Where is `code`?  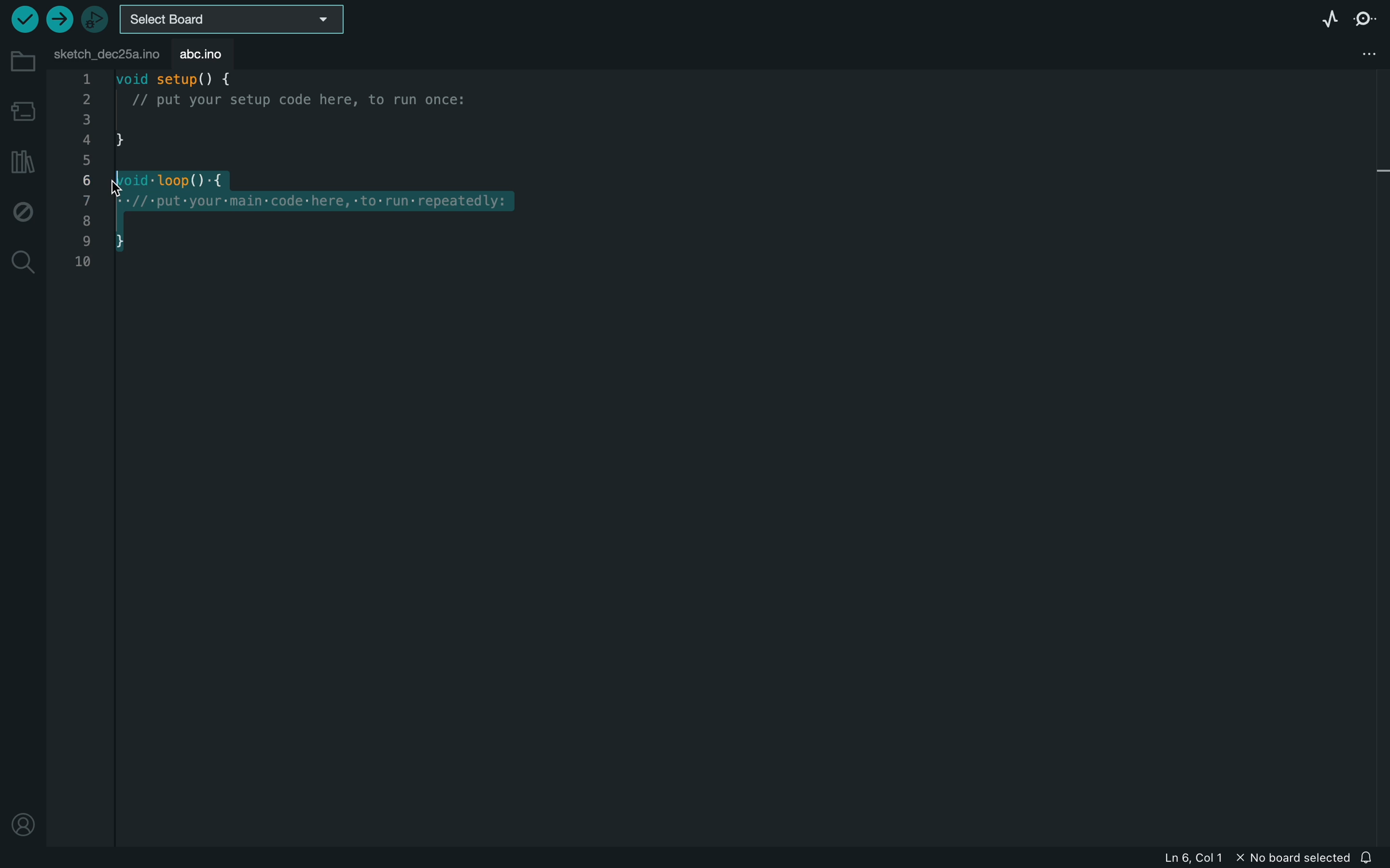
code is located at coordinates (361, 177).